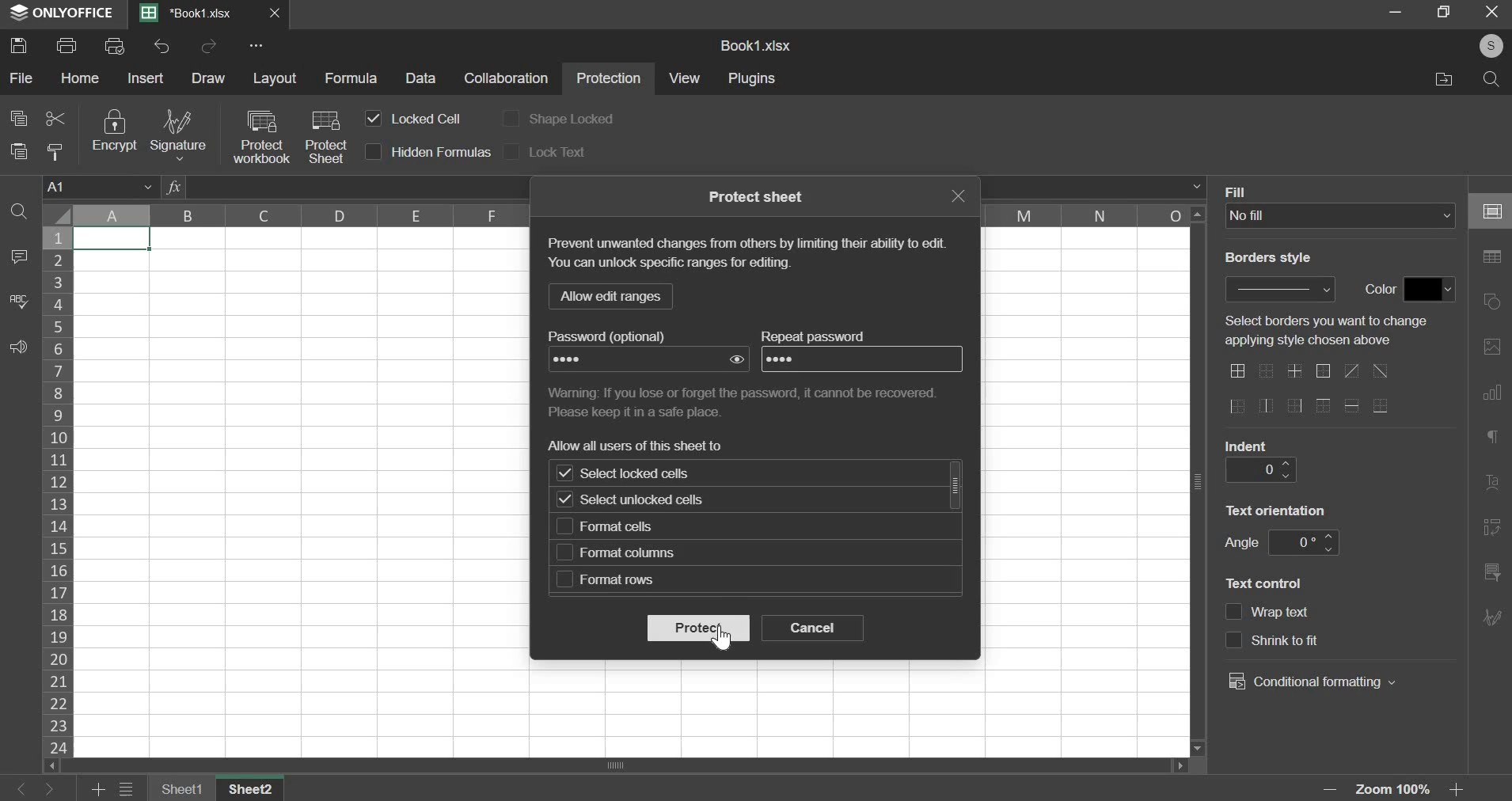  What do you see at coordinates (1199, 481) in the screenshot?
I see `Scroll bar` at bounding box center [1199, 481].